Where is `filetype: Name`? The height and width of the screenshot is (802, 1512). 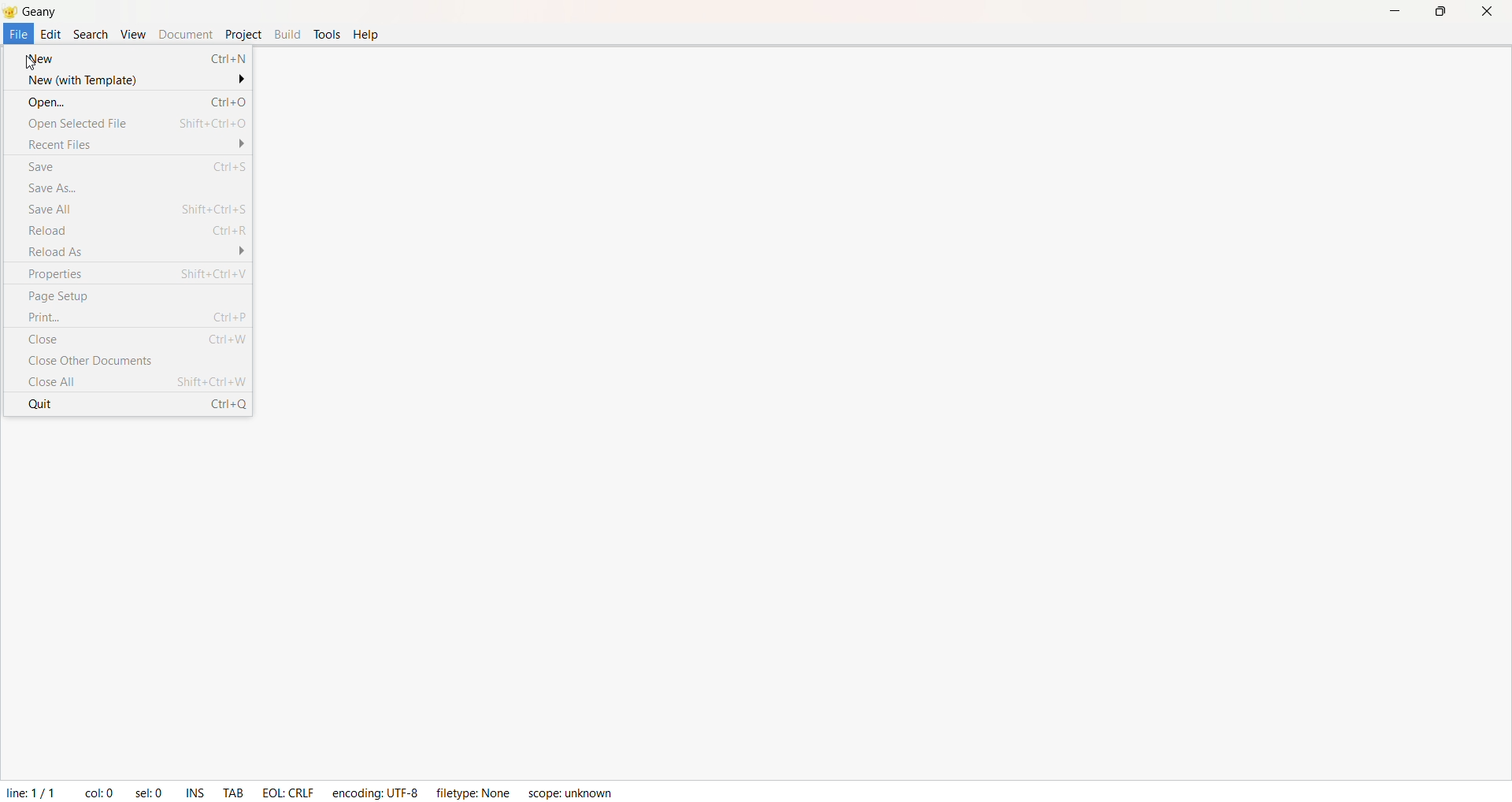
filetype: Name is located at coordinates (475, 792).